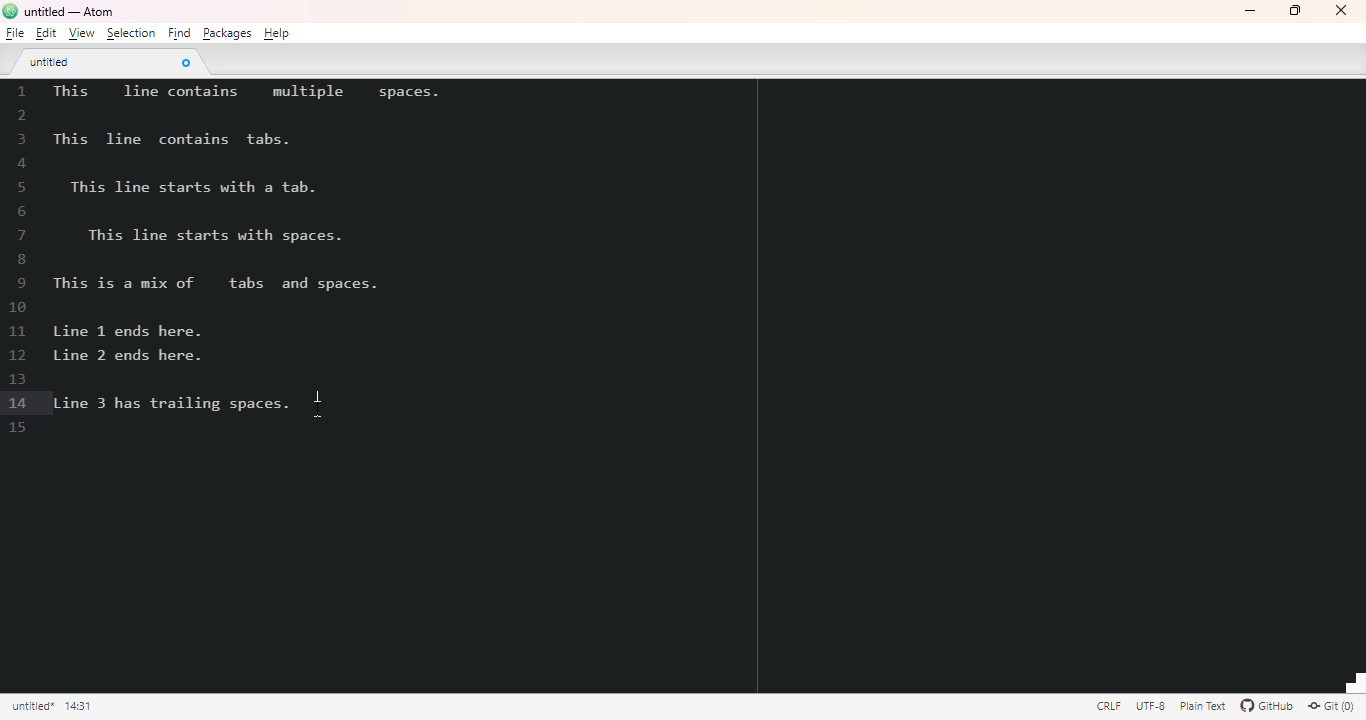 The height and width of the screenshot is (720, 1366). I want to click on file uses CRLF file endings, so click(1109, 705).